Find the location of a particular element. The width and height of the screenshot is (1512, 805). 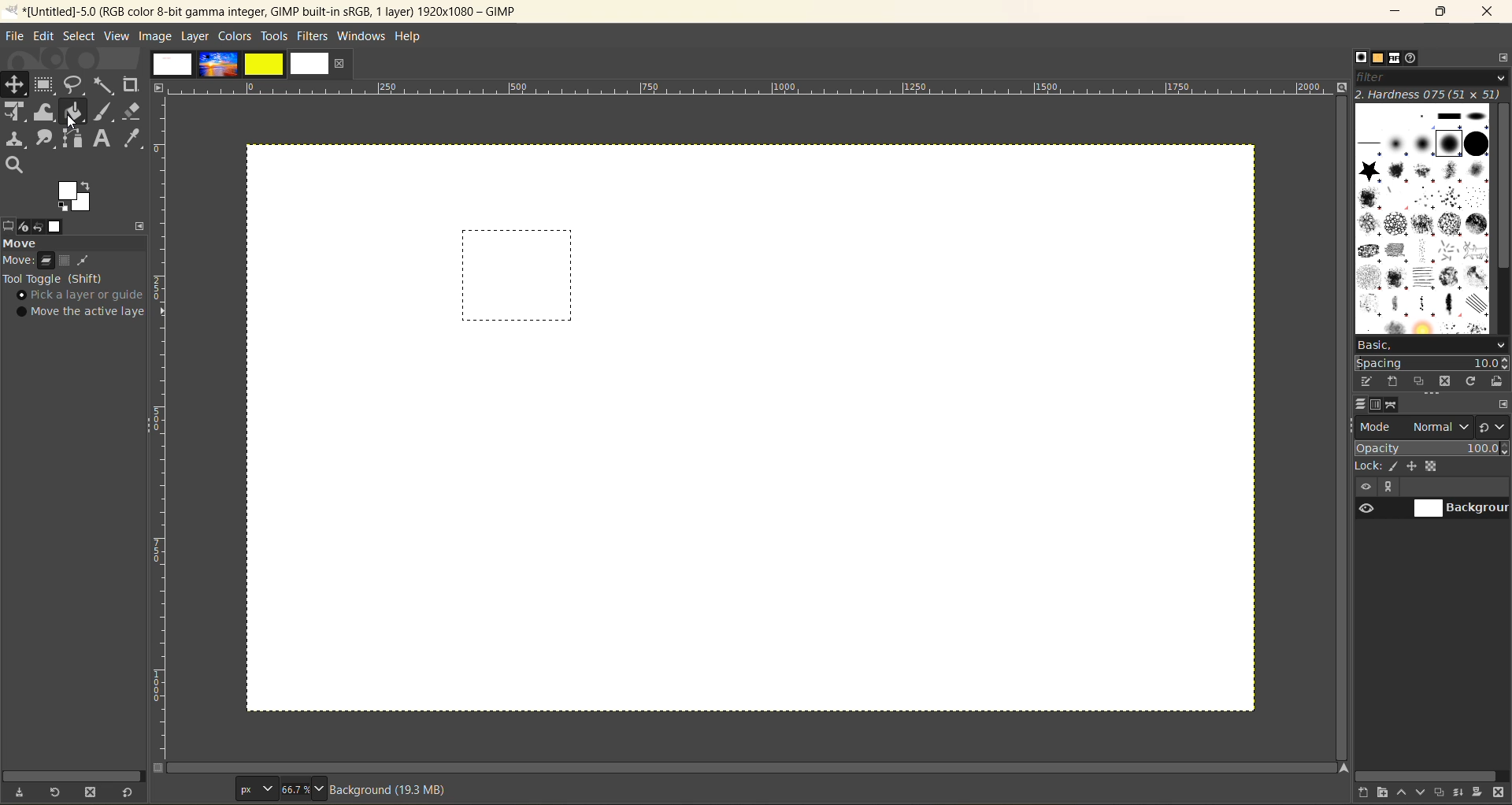

configure is located at coordinates (1501, 61).